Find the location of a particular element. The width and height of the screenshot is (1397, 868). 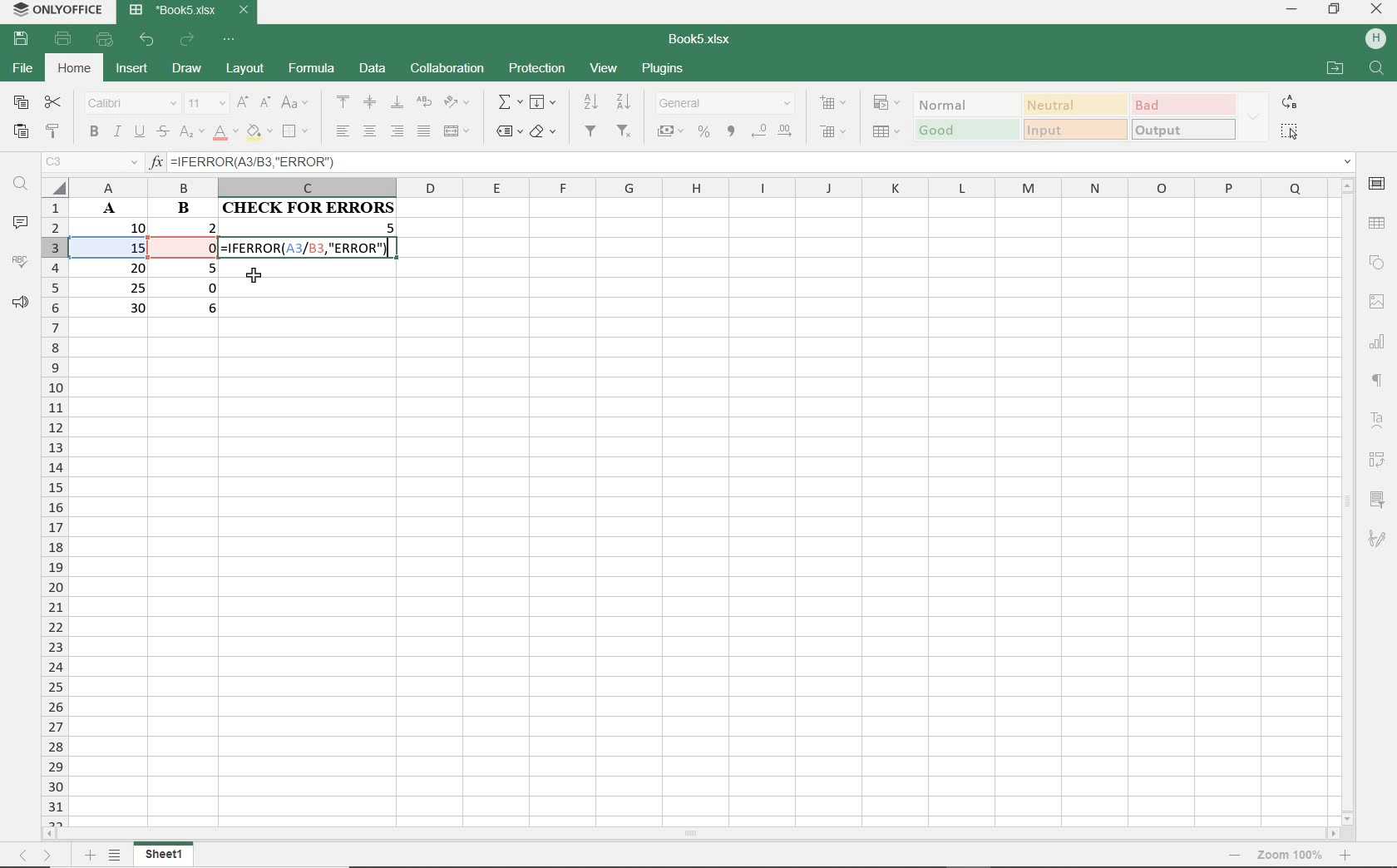

ALIGN MIDDLE is located at coordinates (370, 104).